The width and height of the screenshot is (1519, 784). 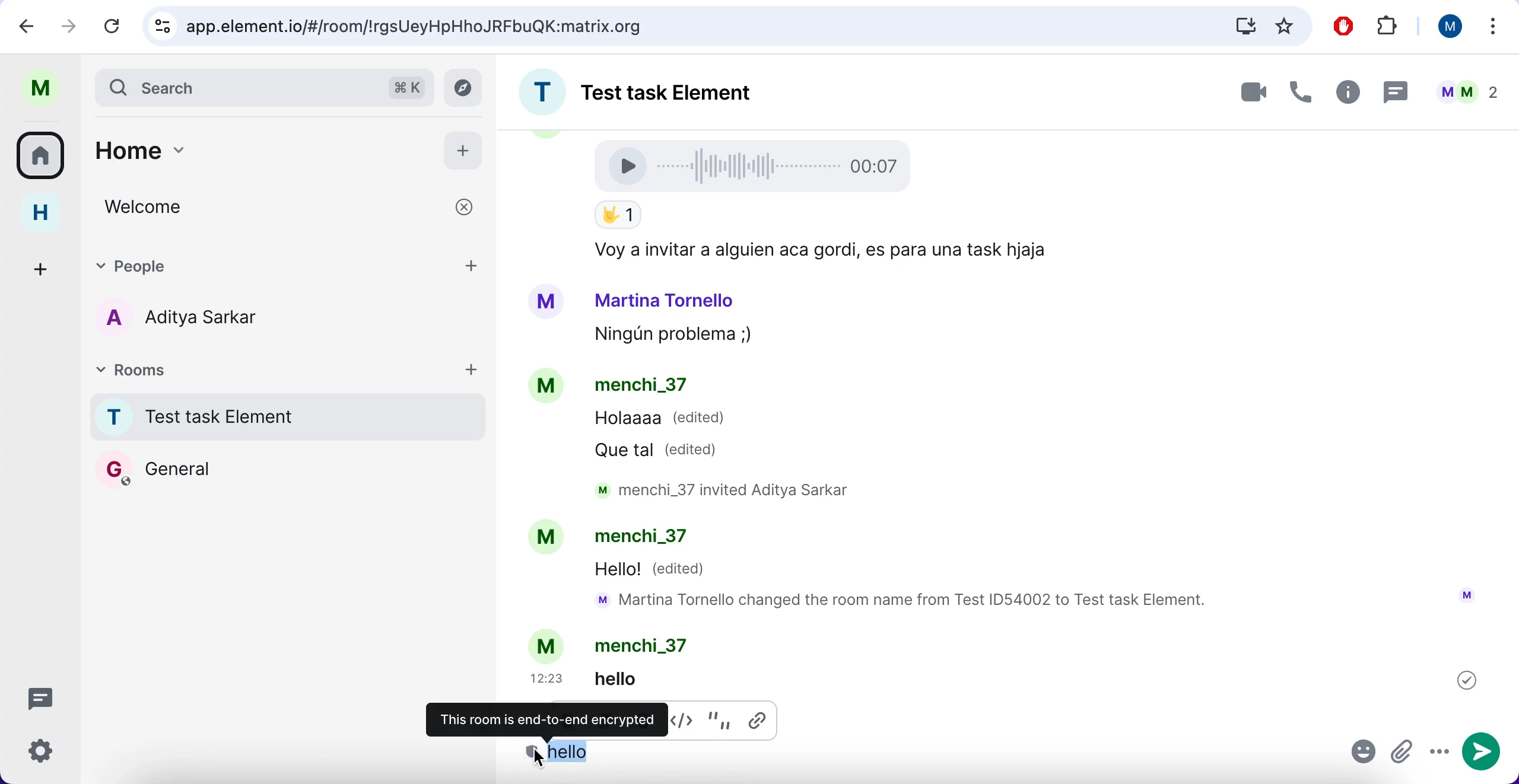 What do you see at coordinates (253, 264) in the screenshot?
I see `people` at bounding box center [253, 264].